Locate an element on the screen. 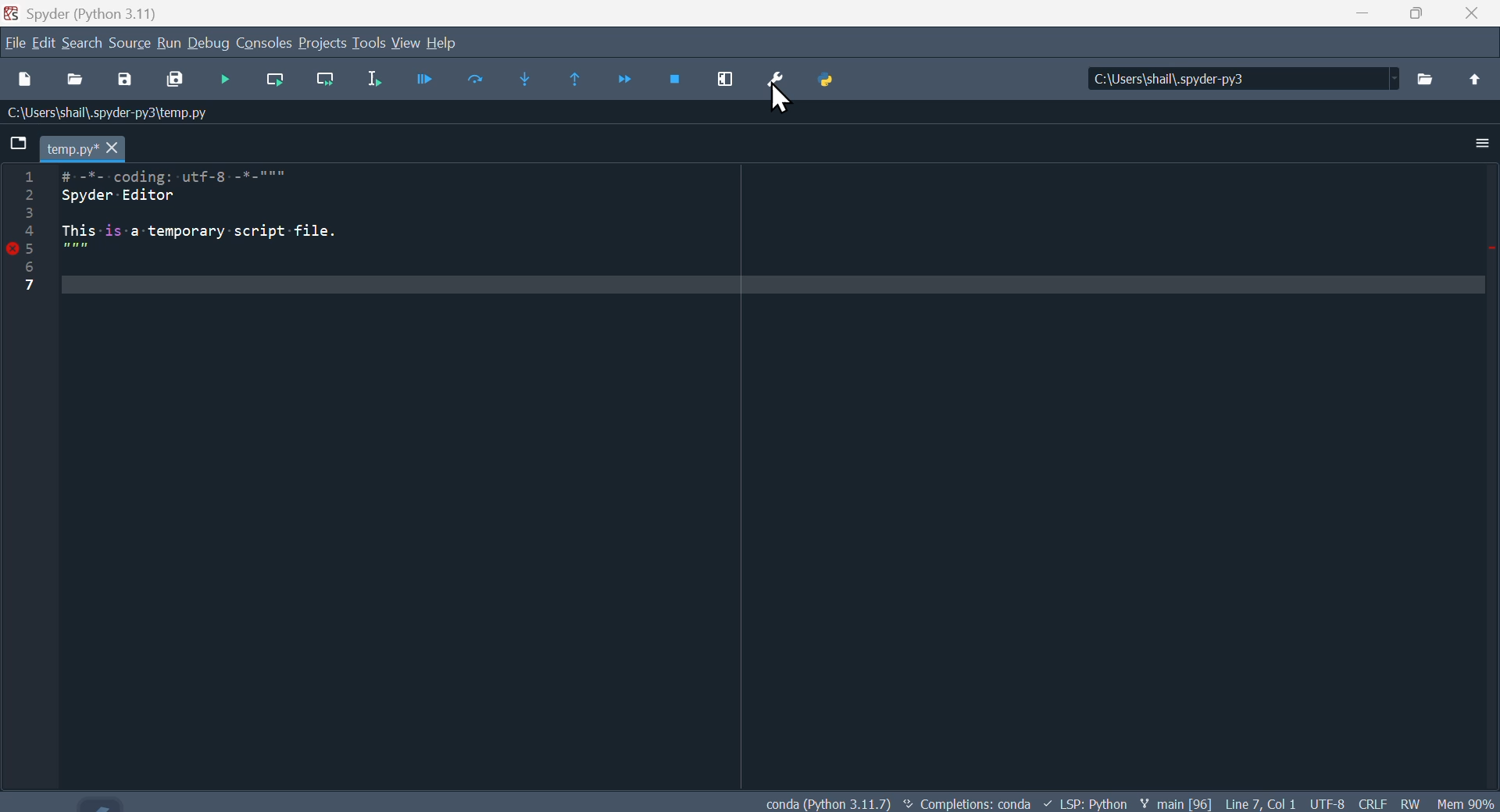 The image size is (1500, 812). Spyder is located at coordinates (99, 12).